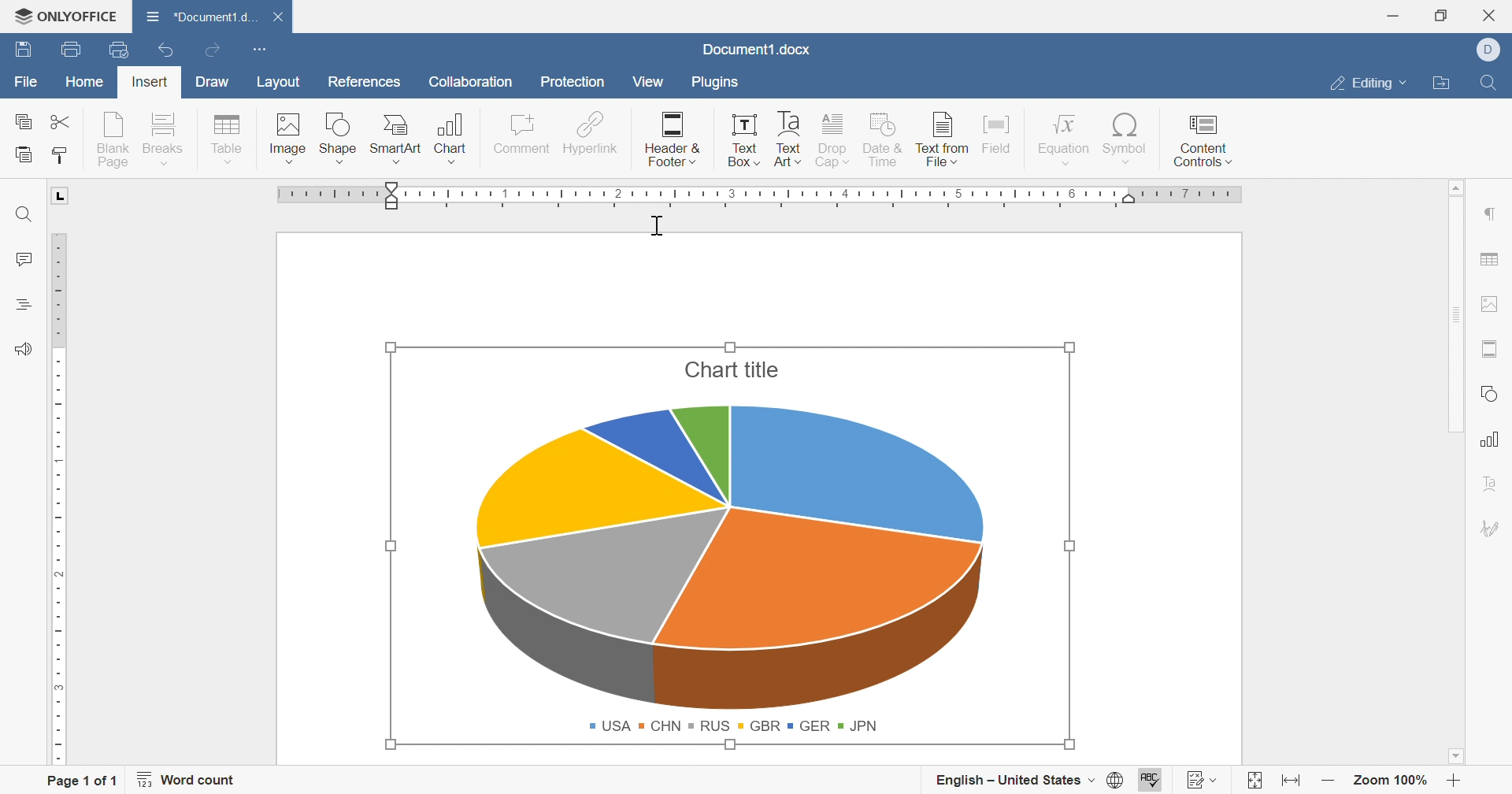  Describe the element at coordinates (1455, 755) in the screenshot. I see `Scroll Down` at that location.